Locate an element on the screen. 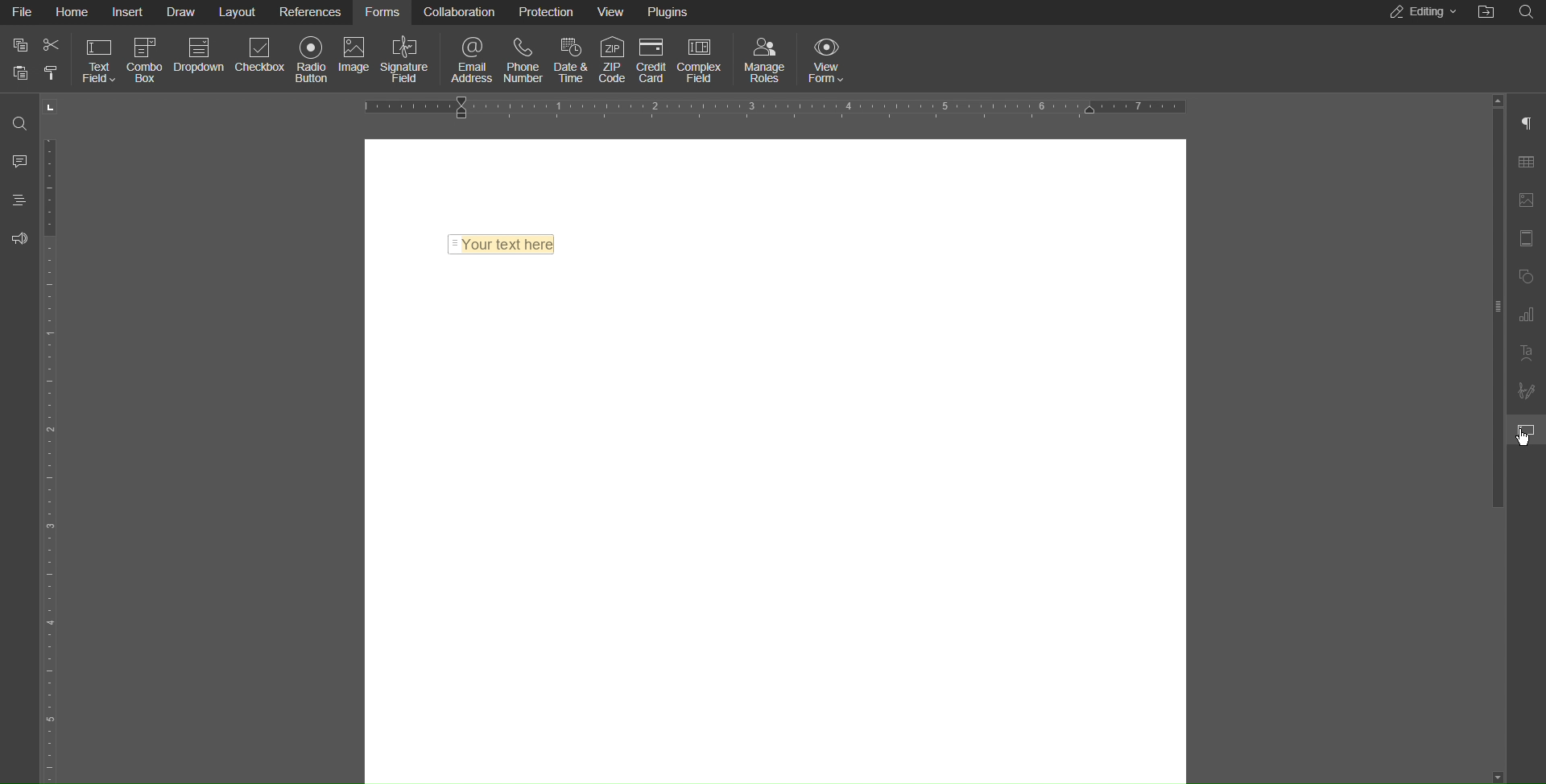 The height and width of the screenshot is (784, 1546). Phone Number is located at coordinates (525, 64).